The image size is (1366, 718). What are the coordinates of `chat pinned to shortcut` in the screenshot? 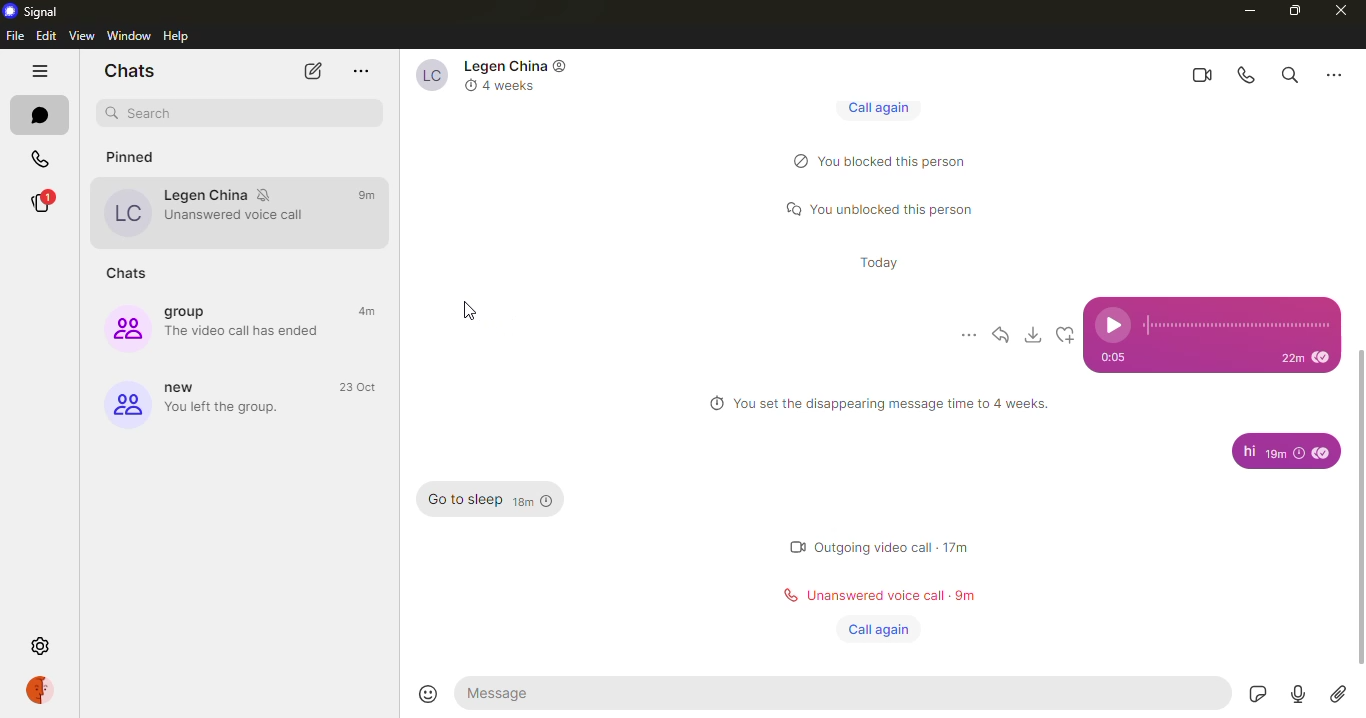 It's located at (223, 211).